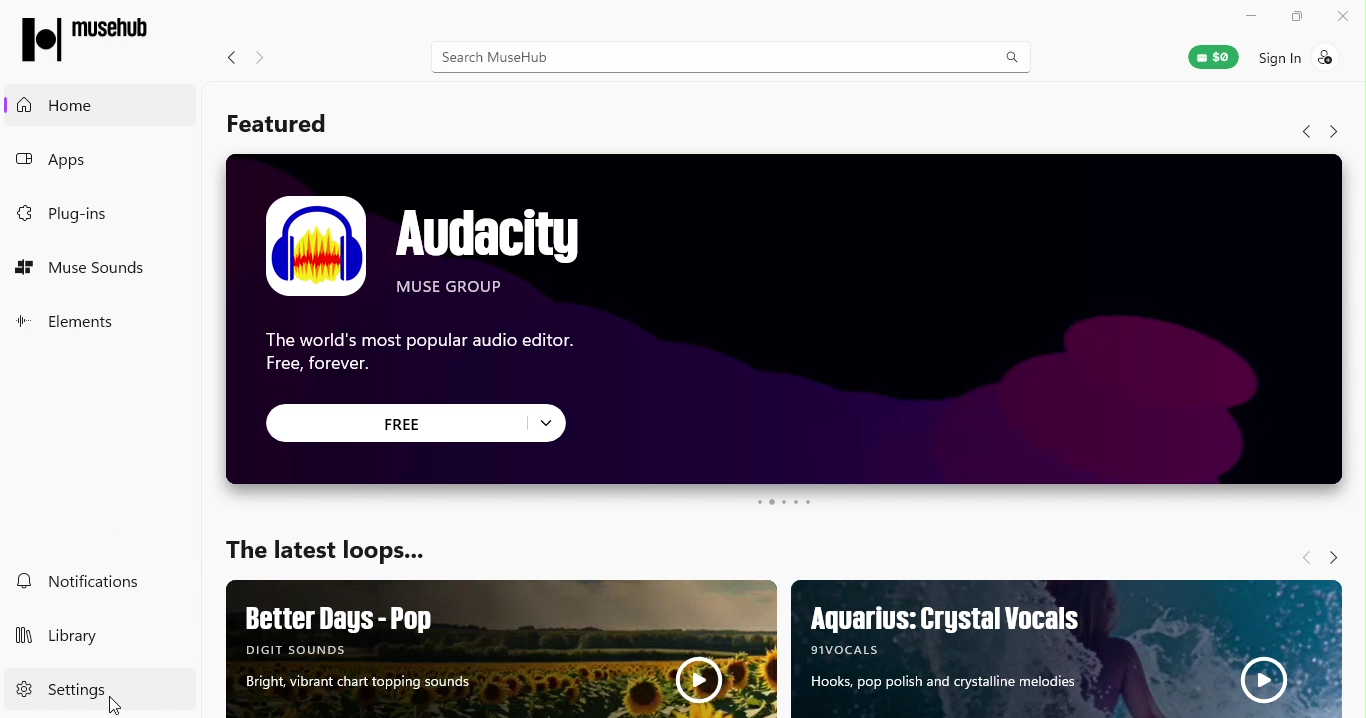 Image resolution: width=1366 pixels, height=718 pixels. Describe the element at coordinates (787, 320) in the screenshot. I see `Audacity Group` at that location.